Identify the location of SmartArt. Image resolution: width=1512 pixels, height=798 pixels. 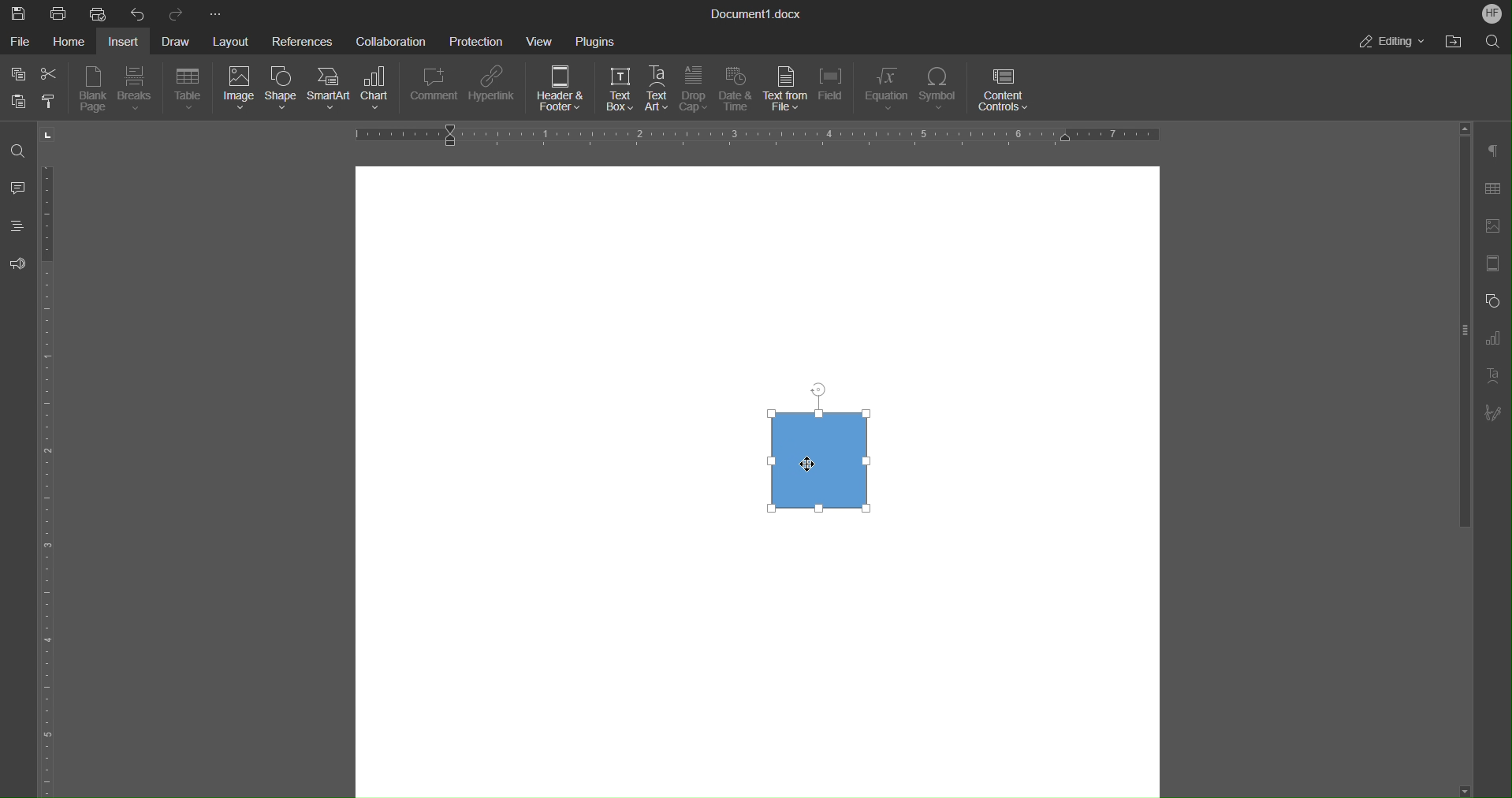
(331, 90).